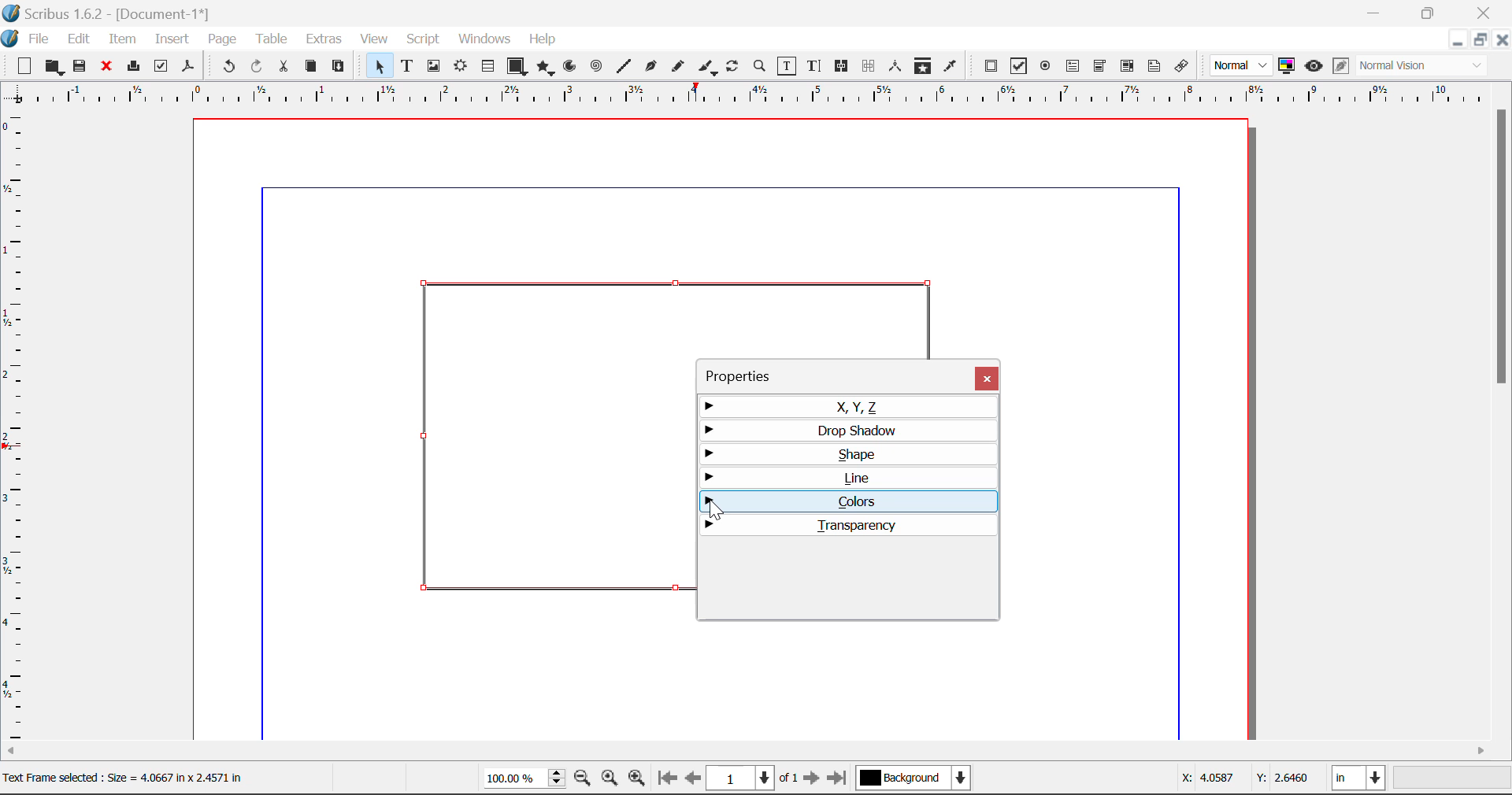  What do you see at coordinates (571, 68) in the screenshot?
I see `Arc` at bounding box center [571, 68].